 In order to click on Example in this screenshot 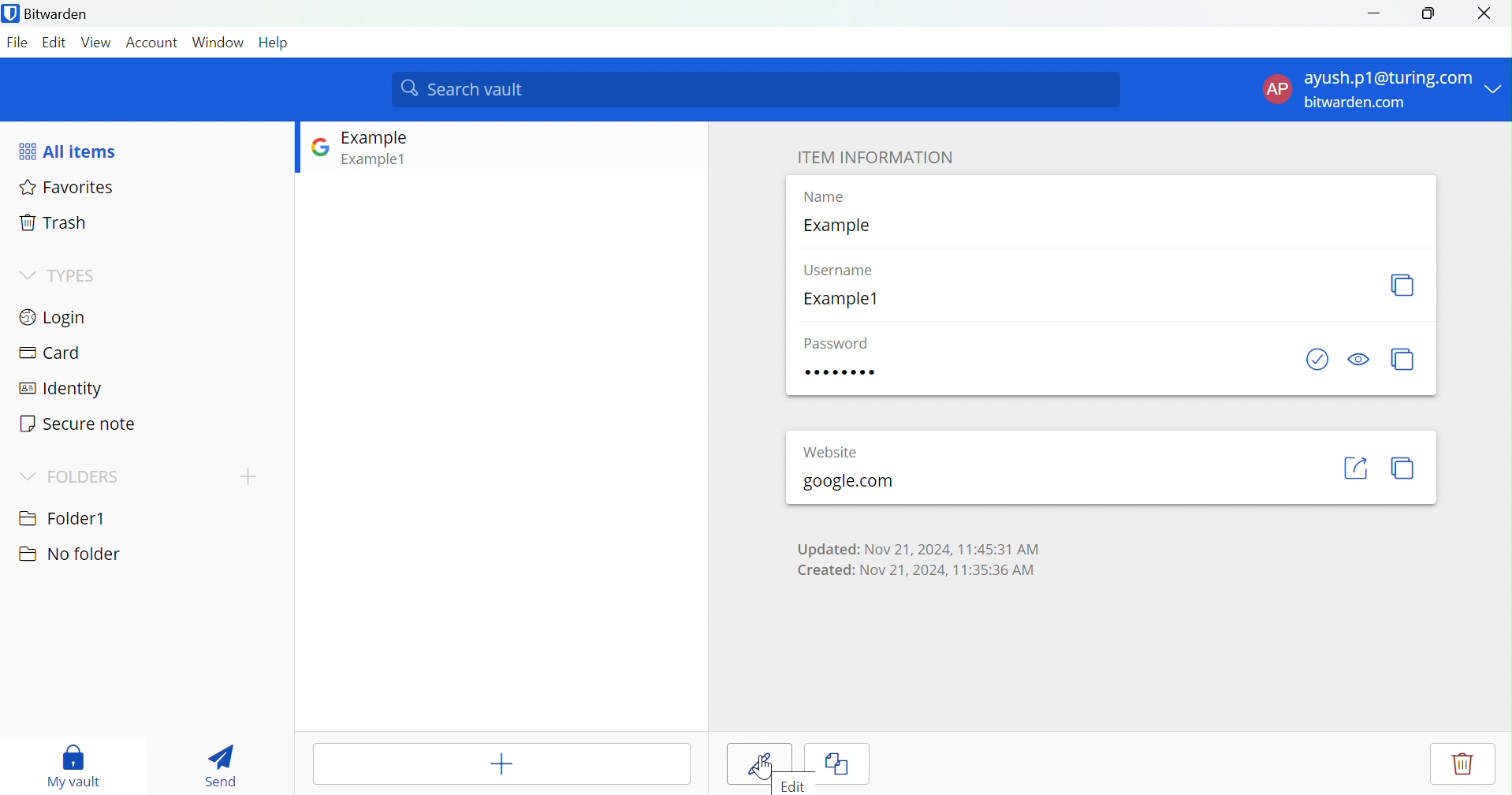, I will do `click(378, 138)`.